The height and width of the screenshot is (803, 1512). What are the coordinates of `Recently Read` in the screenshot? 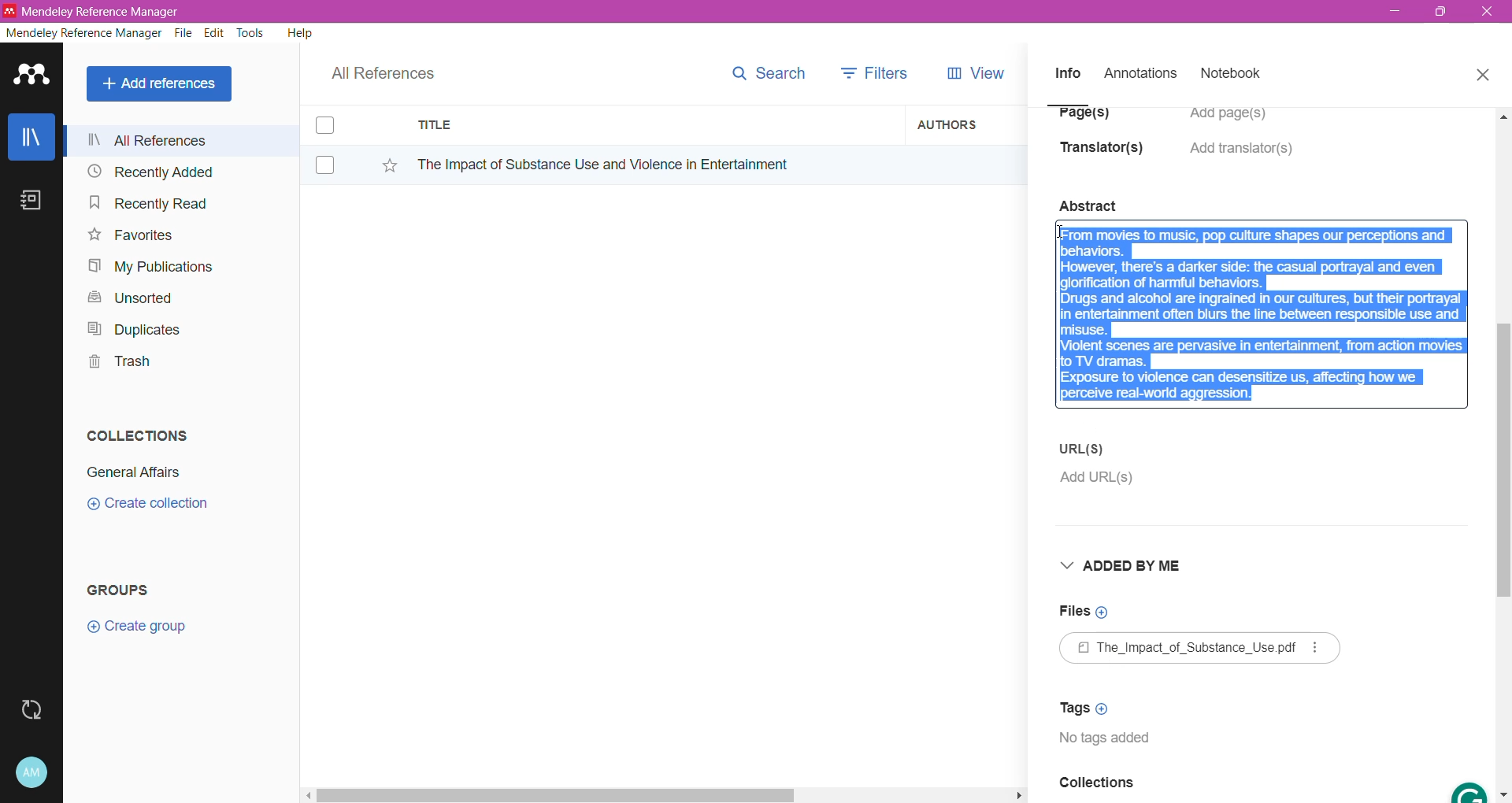 It's located at (148, 202).